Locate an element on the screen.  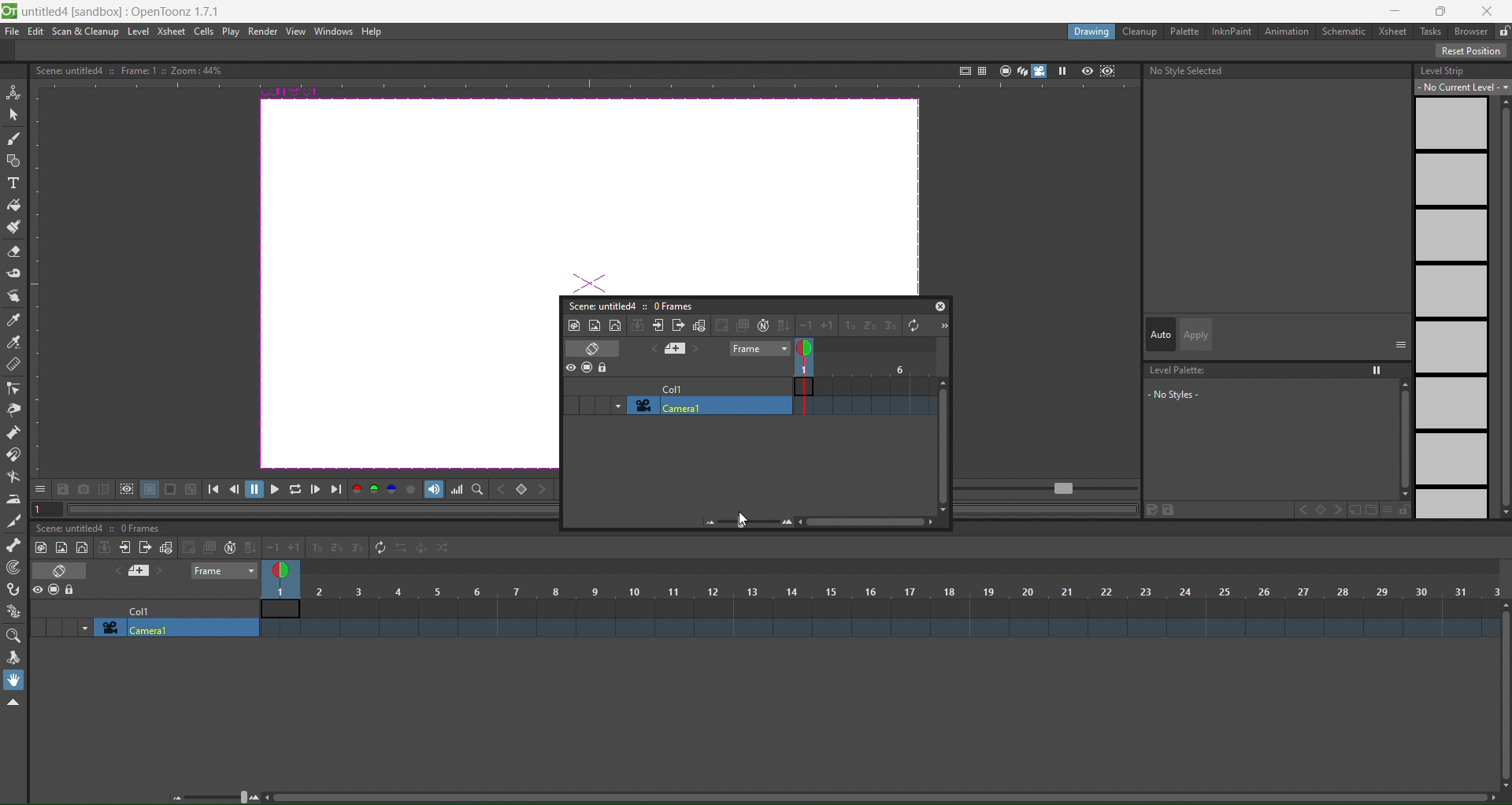
frame is located at coordinates (865, 380).